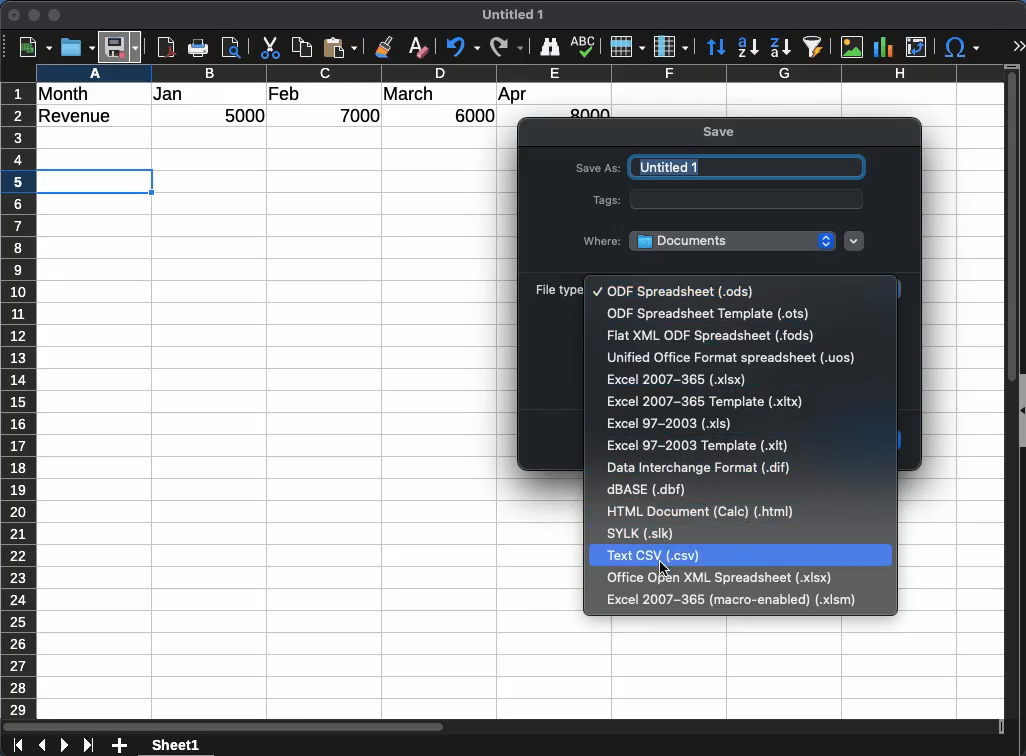  What do you see at coordinates (418, 47) in the screenshot?
I see `clear formatting` at bounding box center [418, 47].